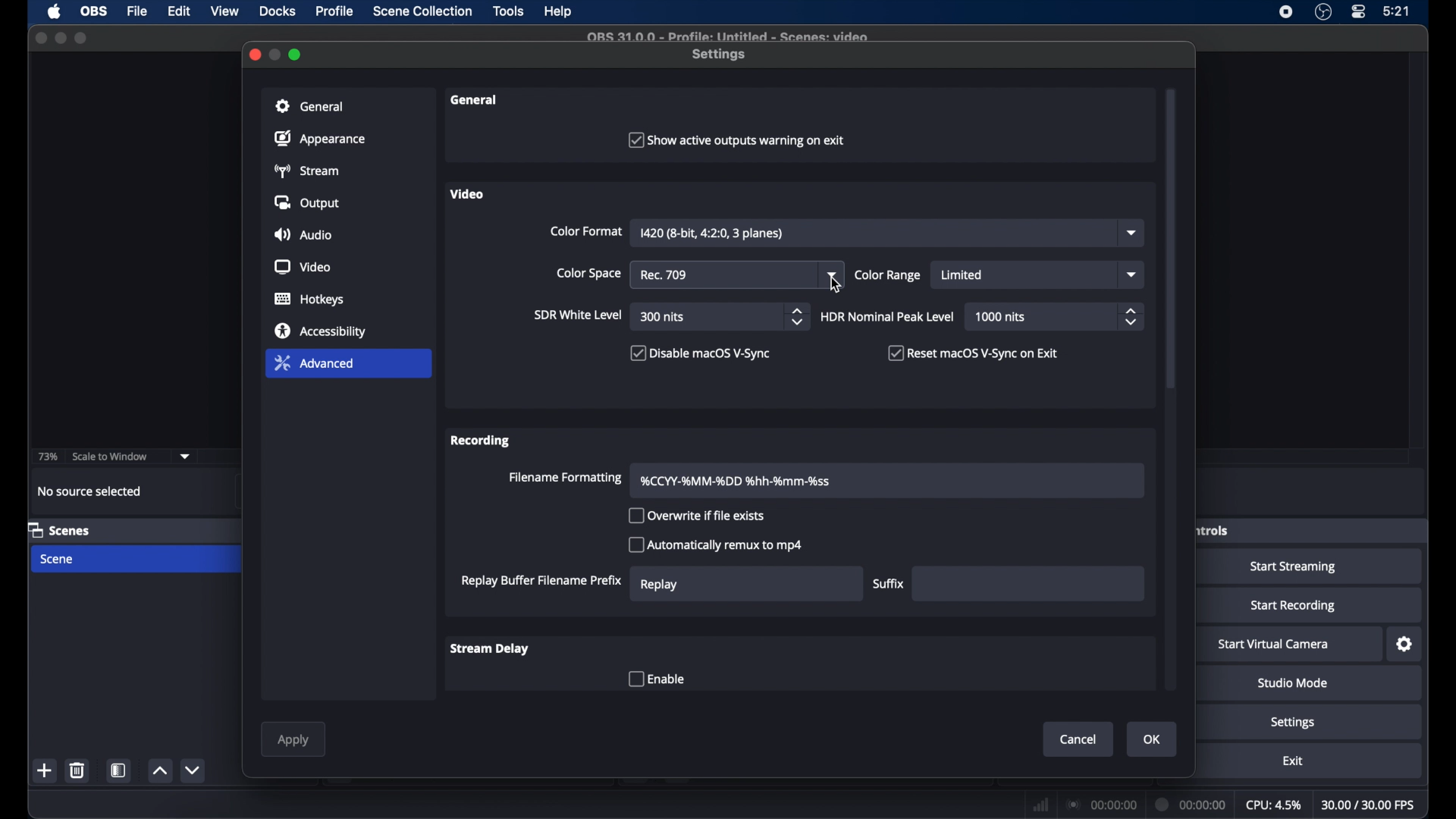 The width and height of the screenshot is (1456, 819). What do you see at coordinates (468, 193) in the screenshot?
I see `video` at bounding box center [468, 193].